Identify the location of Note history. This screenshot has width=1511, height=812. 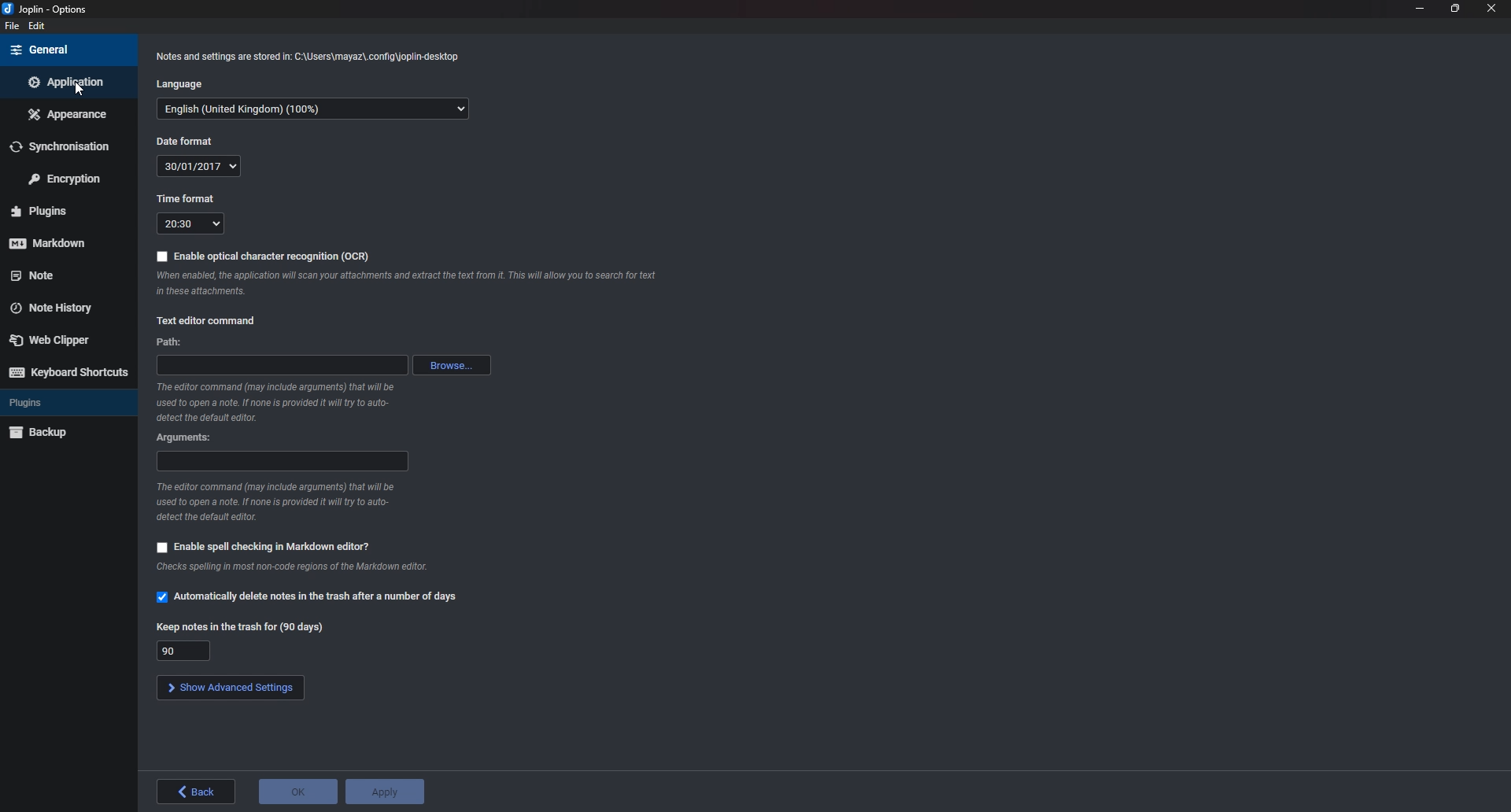
(59, 308).